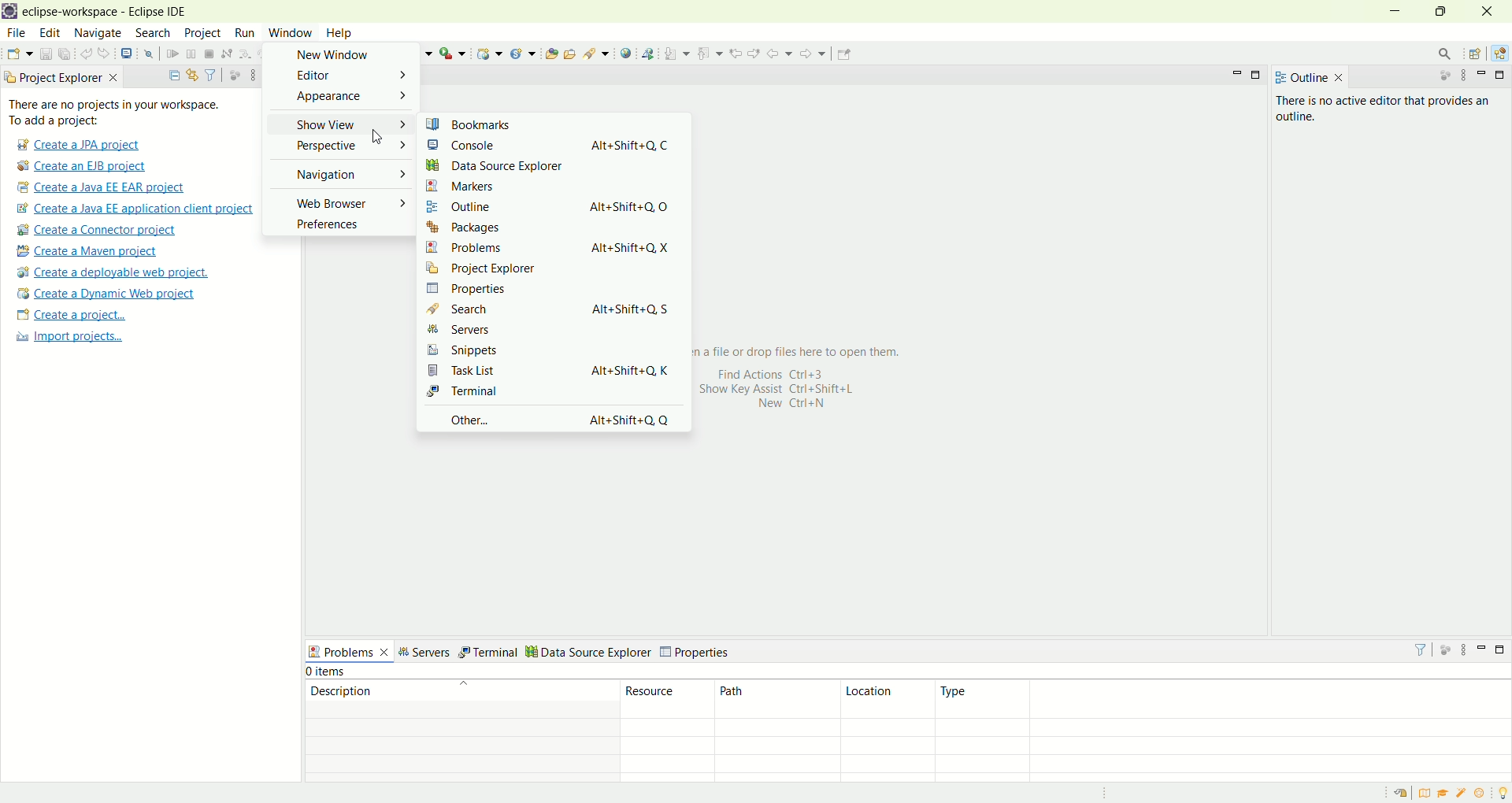 The width and height of the screenshot is (1512, 803). Describe the element at coordinates (497, 309) in the screenshot. I see `search` at that location.